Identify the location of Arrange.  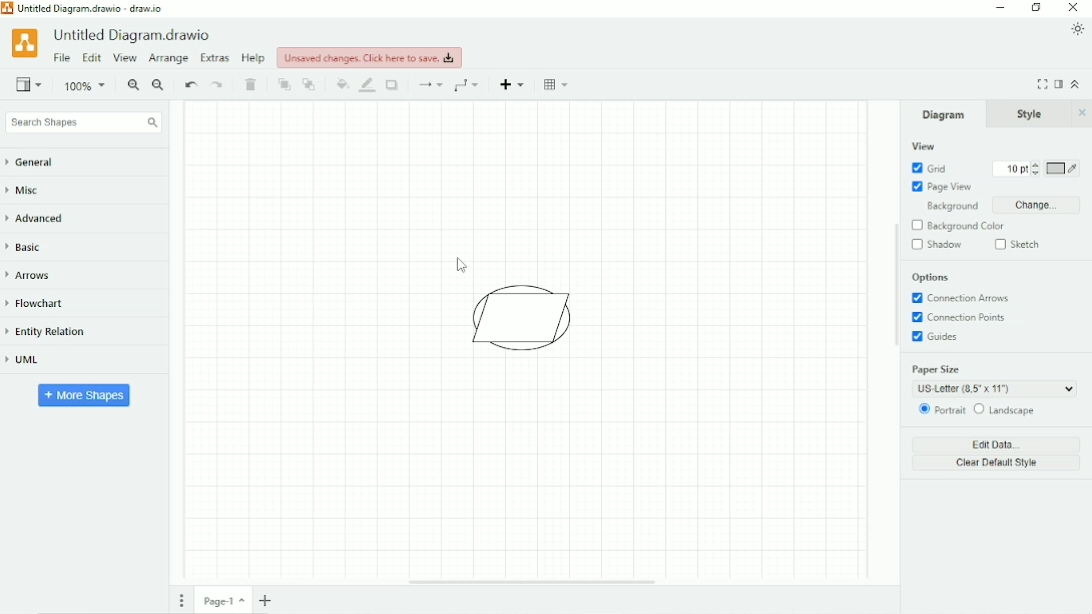
(168, 59).